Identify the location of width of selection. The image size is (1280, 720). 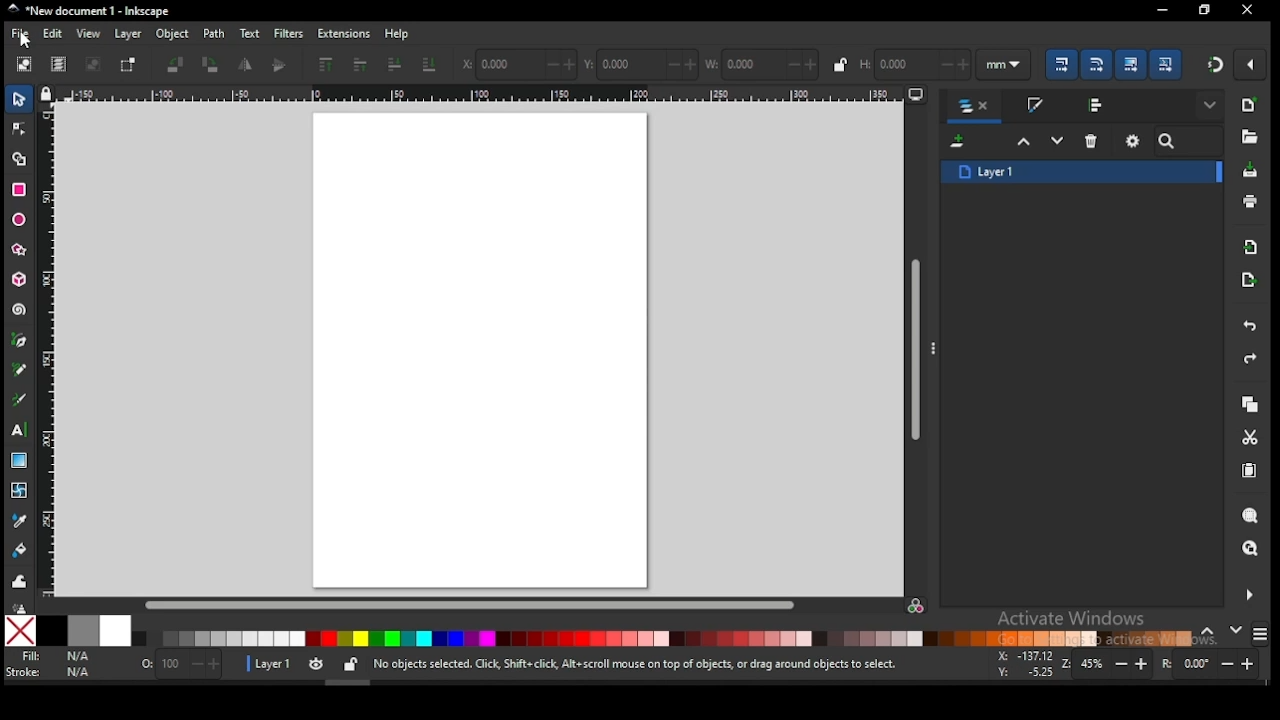
(763, 64).